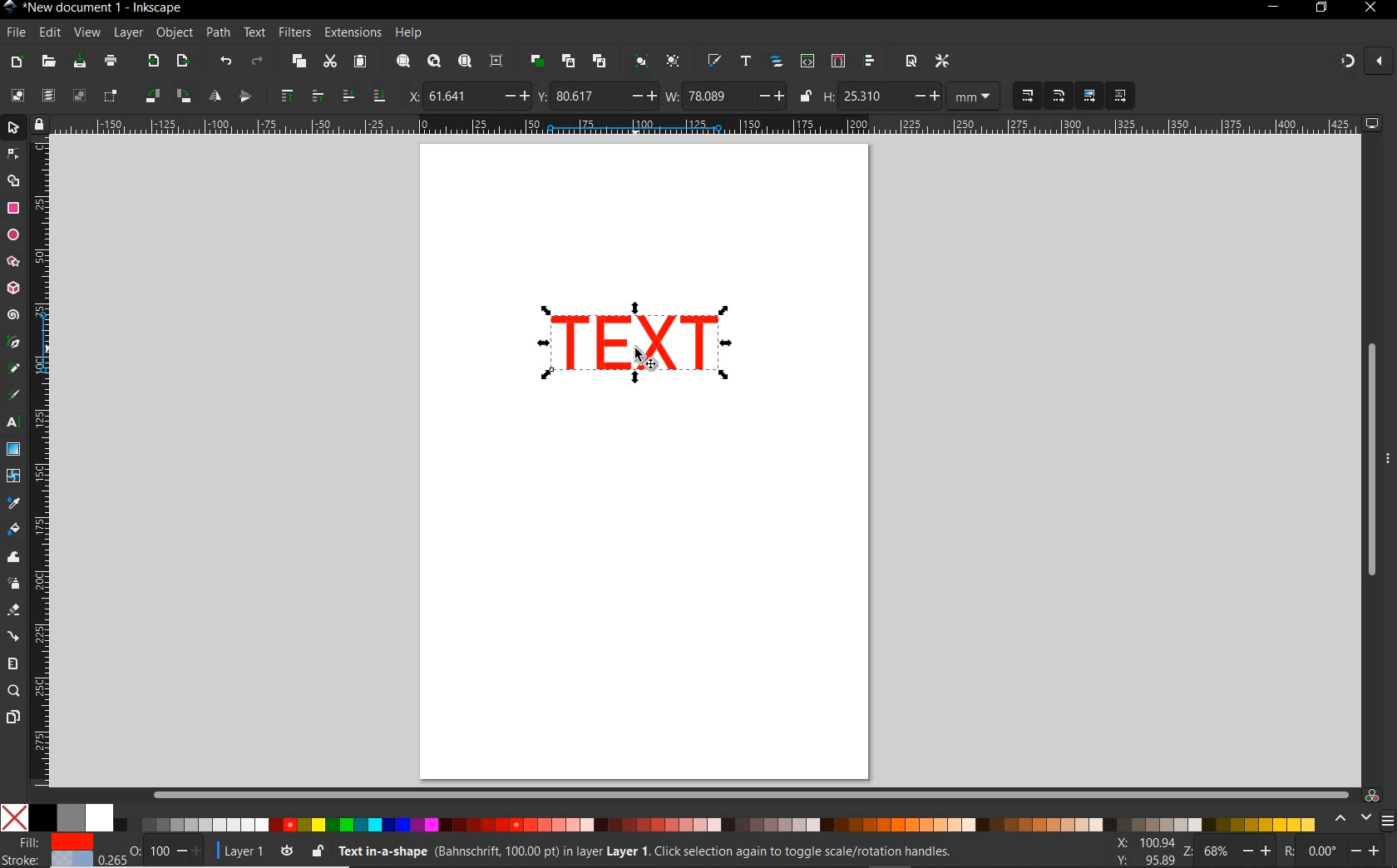  What do you see at coordinates (409, 33) in the screenshot?
I see `help` at bounding box center [409, 33].